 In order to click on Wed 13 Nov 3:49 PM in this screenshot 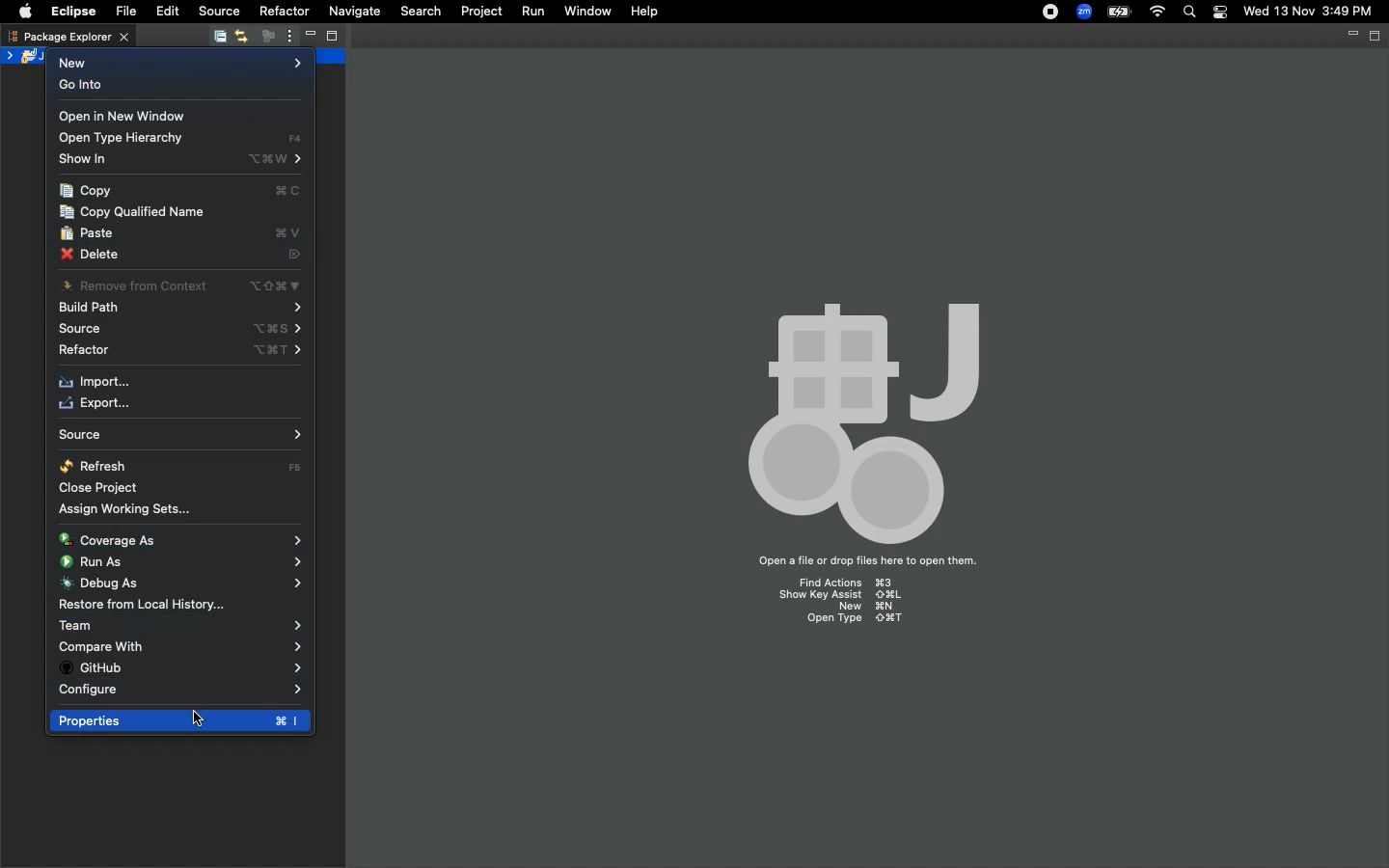, I will do `click(1309, 10)`.